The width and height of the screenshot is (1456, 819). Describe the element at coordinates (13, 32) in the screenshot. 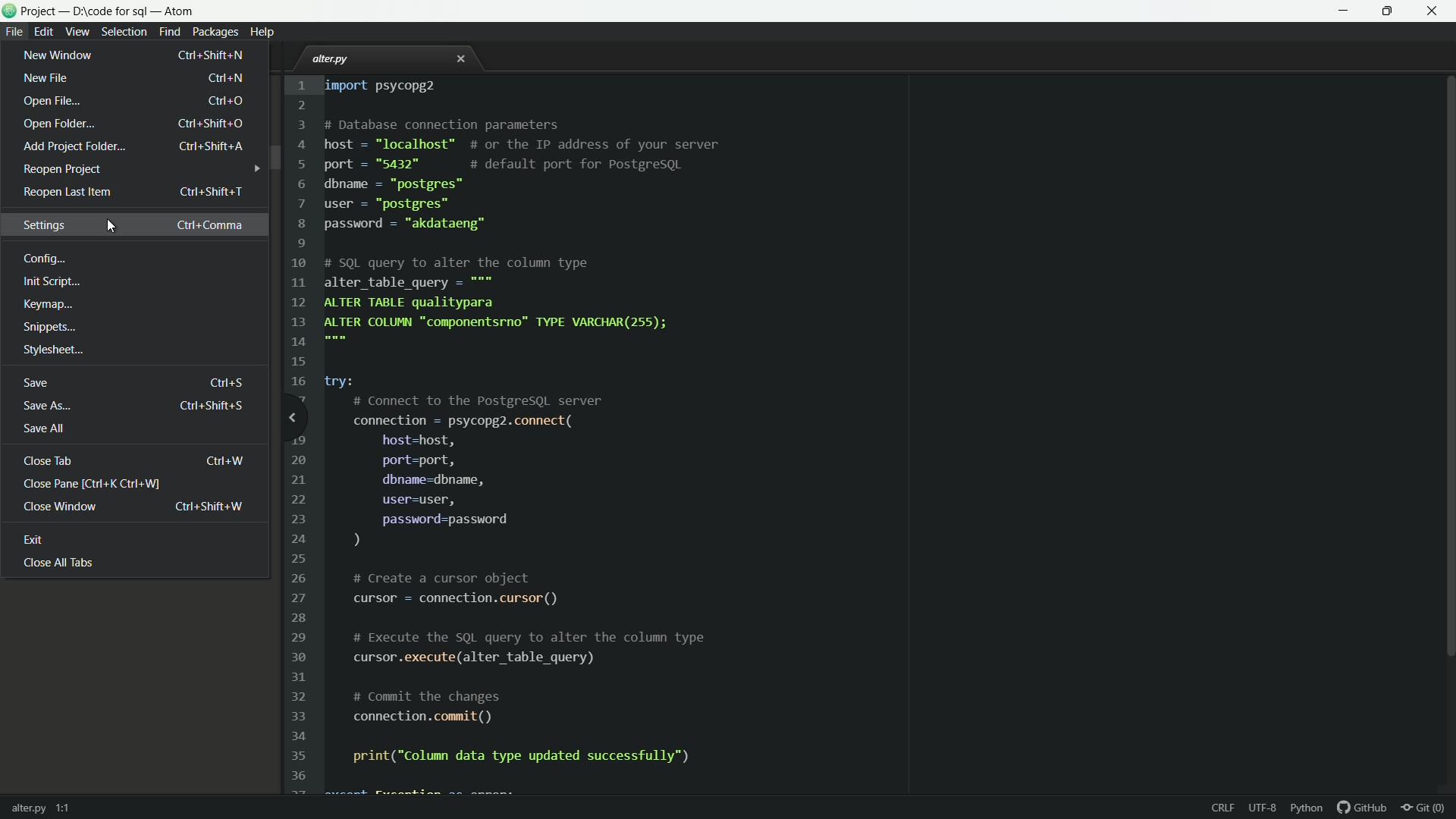

I see `file menu` at that location.